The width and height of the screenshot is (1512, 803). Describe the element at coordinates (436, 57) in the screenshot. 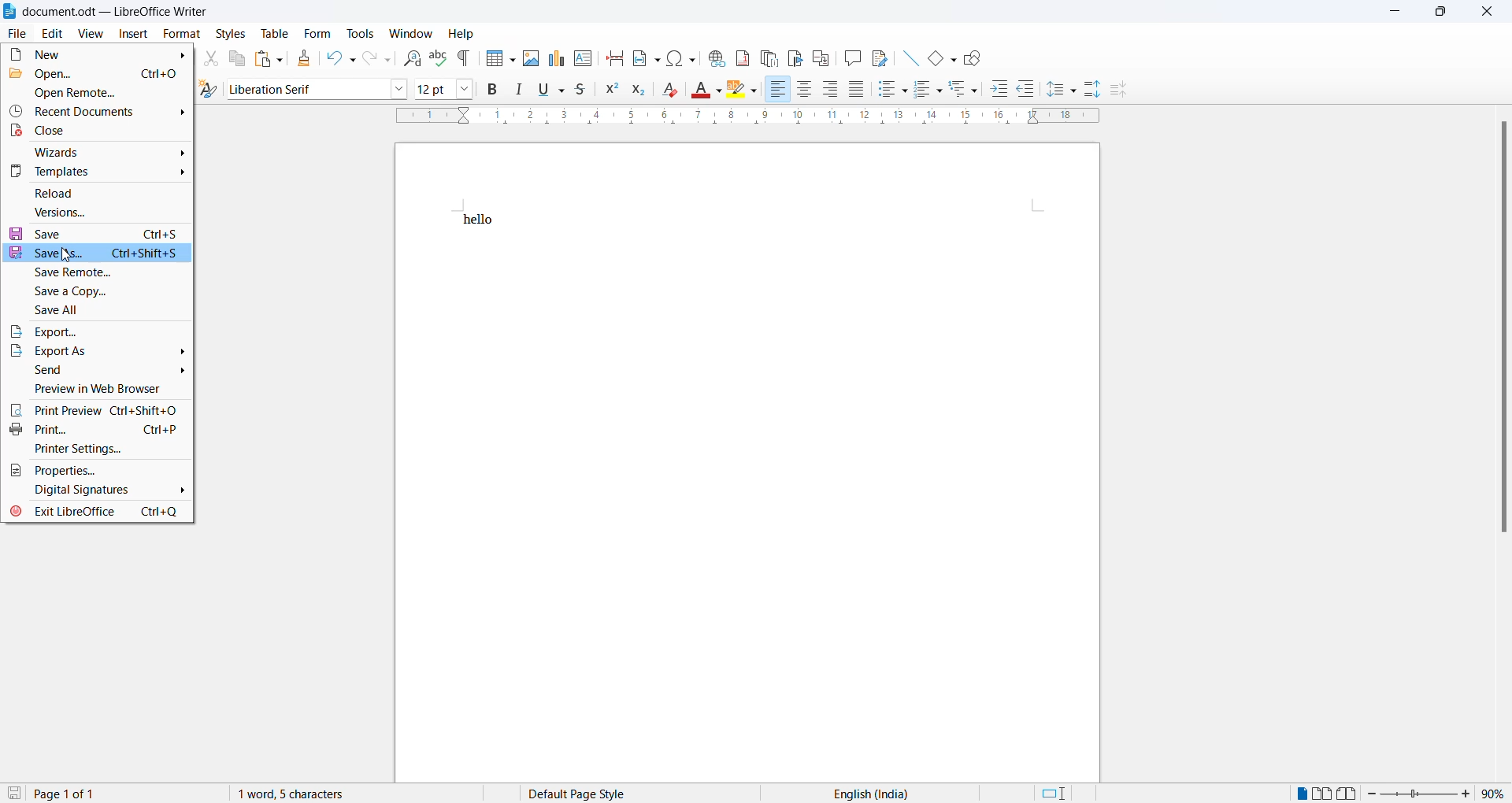

I see `Spellings` at that location.